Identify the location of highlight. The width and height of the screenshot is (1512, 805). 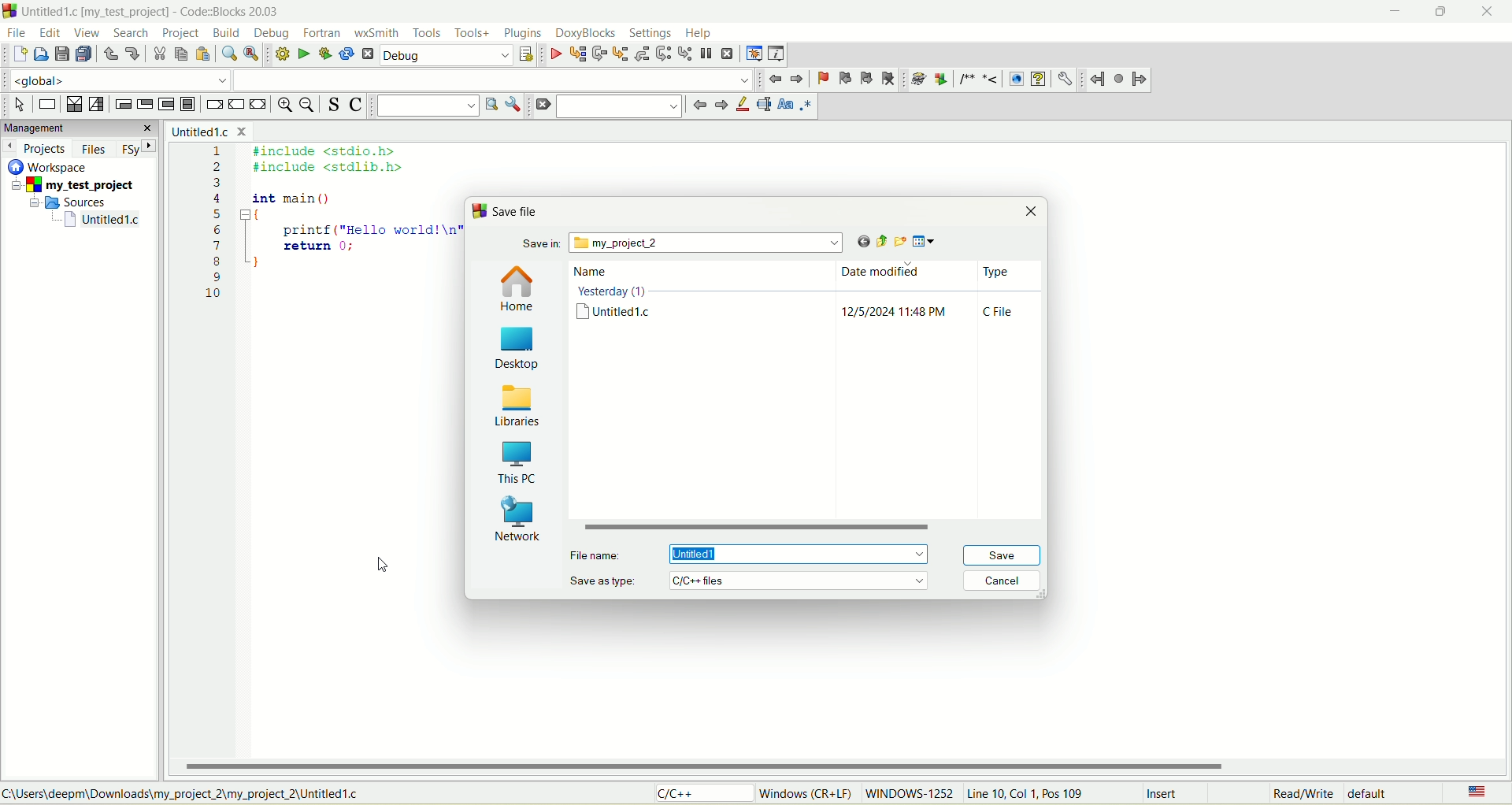
(741, 105).